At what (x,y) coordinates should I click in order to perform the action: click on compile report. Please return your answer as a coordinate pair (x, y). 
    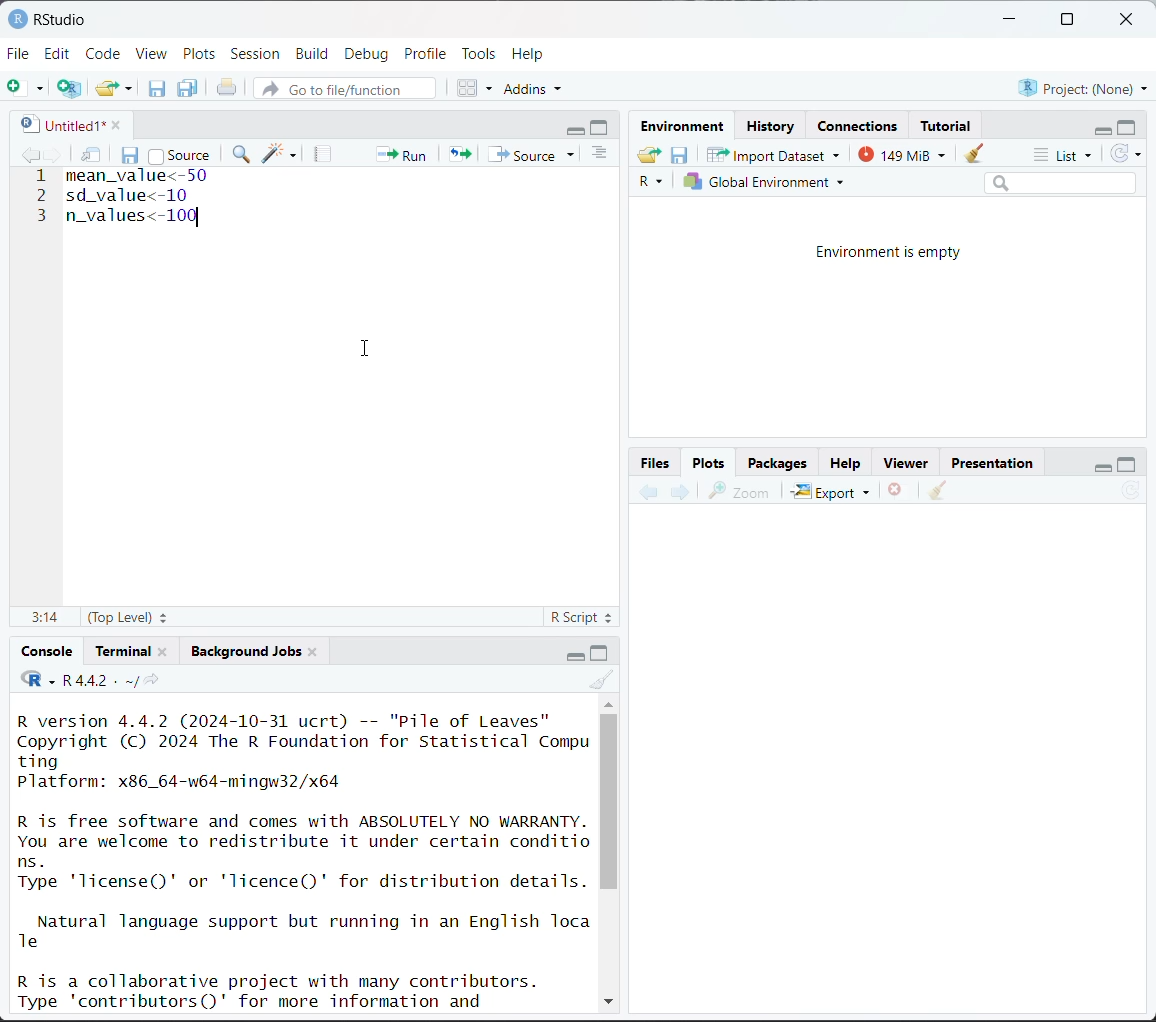
    Looking at the image, I should click on (325, 154).